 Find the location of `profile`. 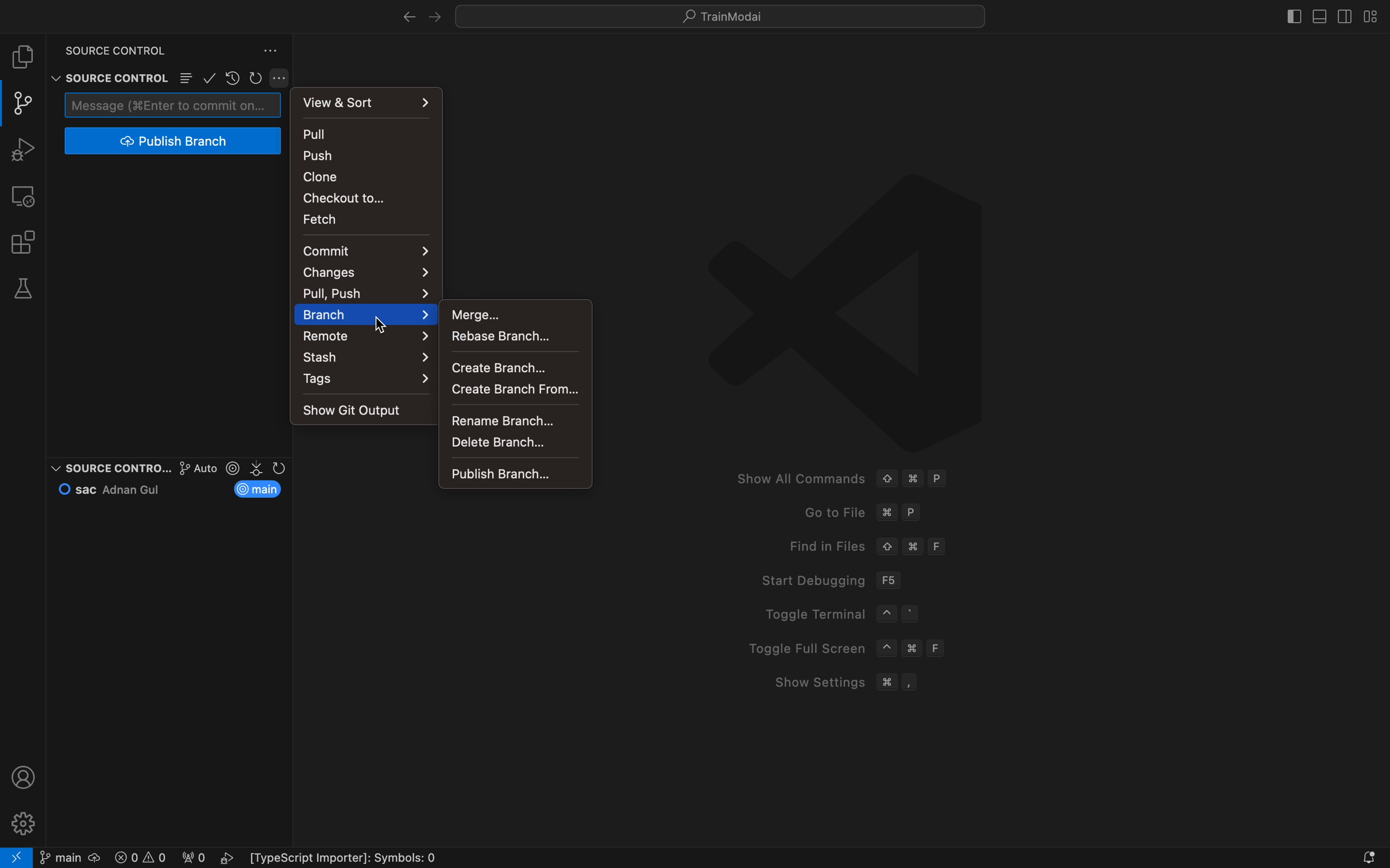

profile is located at coordinates (25, 777).